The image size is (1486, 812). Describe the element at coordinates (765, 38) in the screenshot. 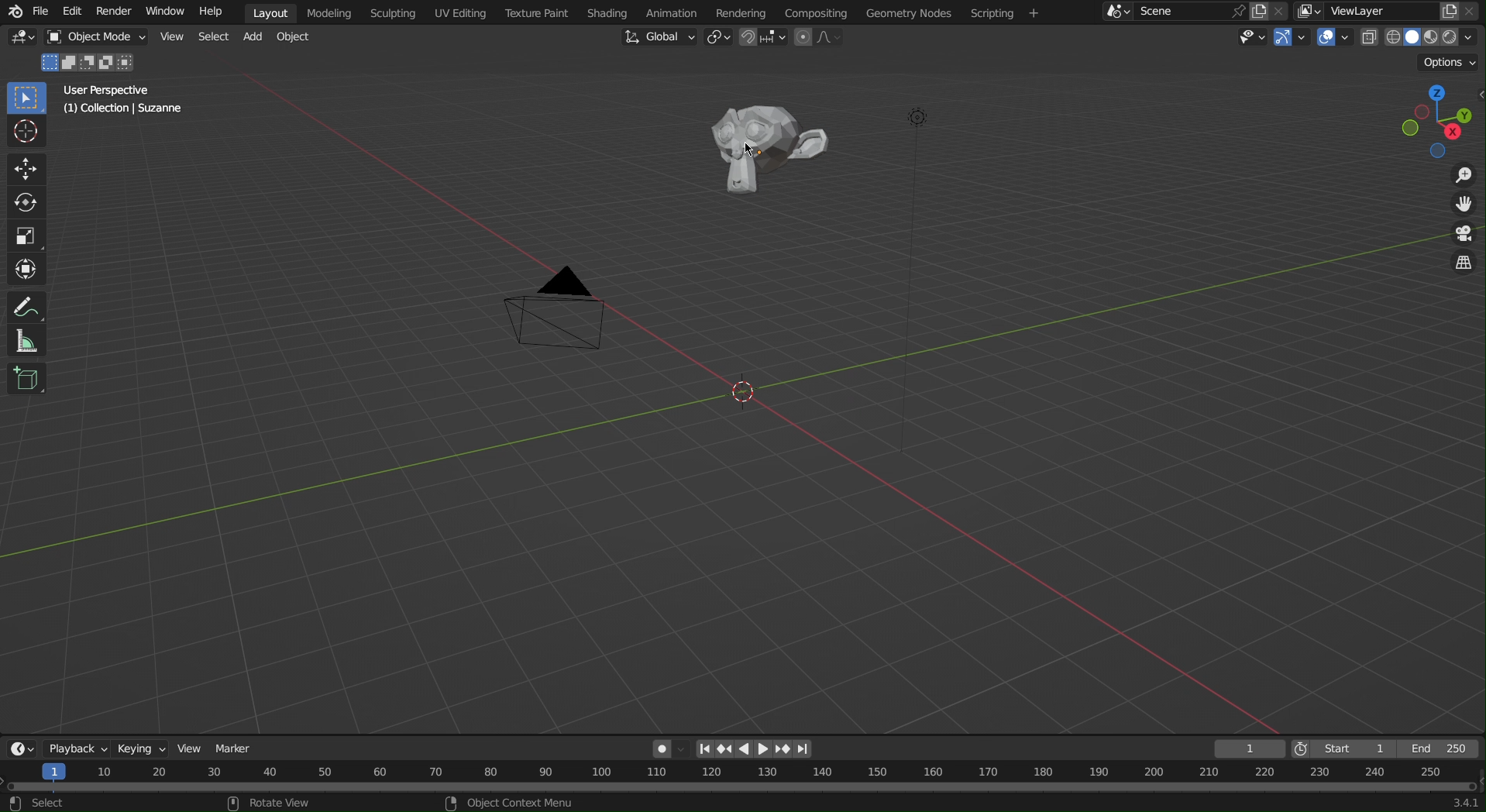

I see `Snap during transform` at that location.